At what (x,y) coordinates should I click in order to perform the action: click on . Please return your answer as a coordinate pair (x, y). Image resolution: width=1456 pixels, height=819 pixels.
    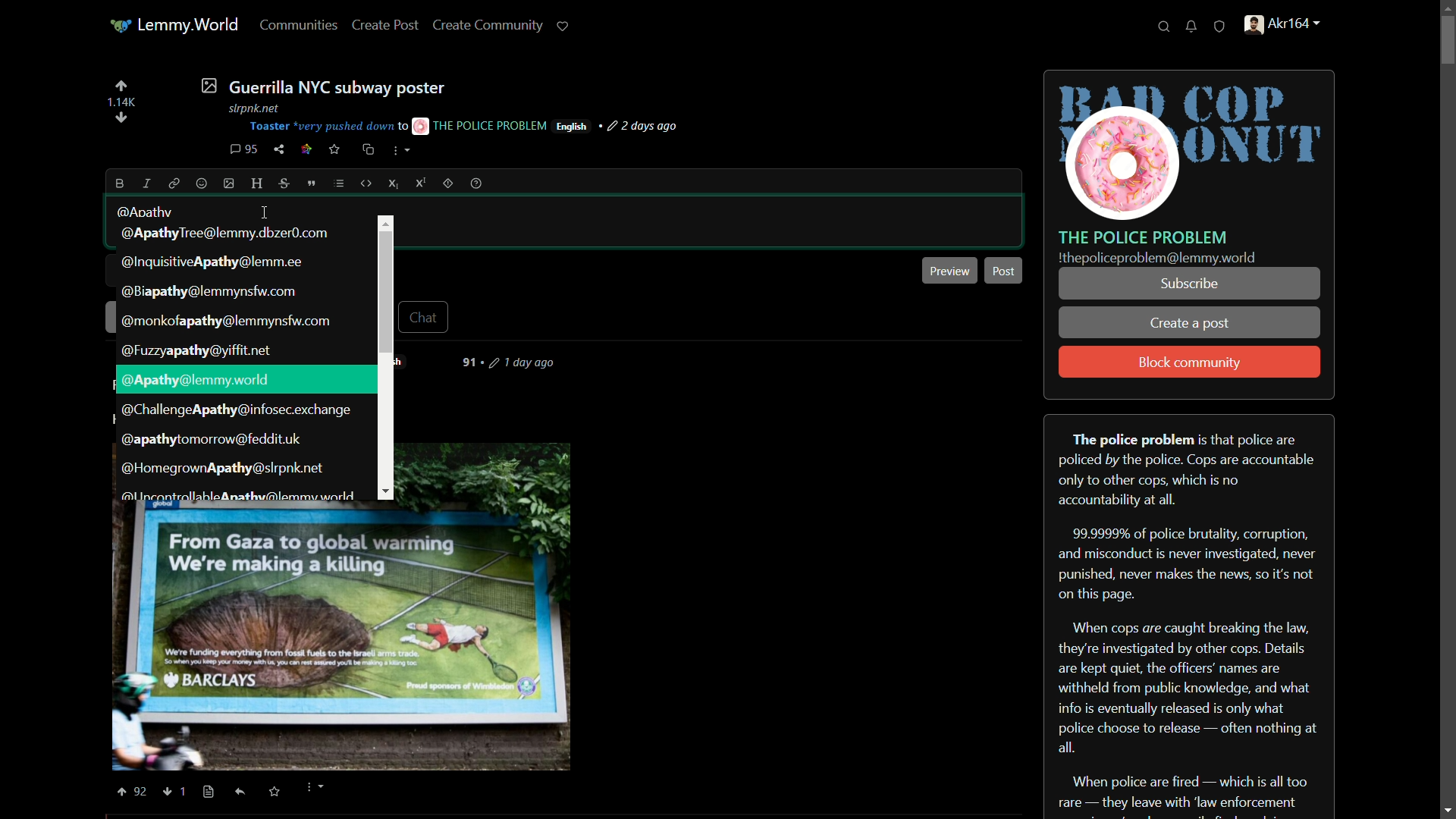
    Looking at the image, I should click on (189, 789).